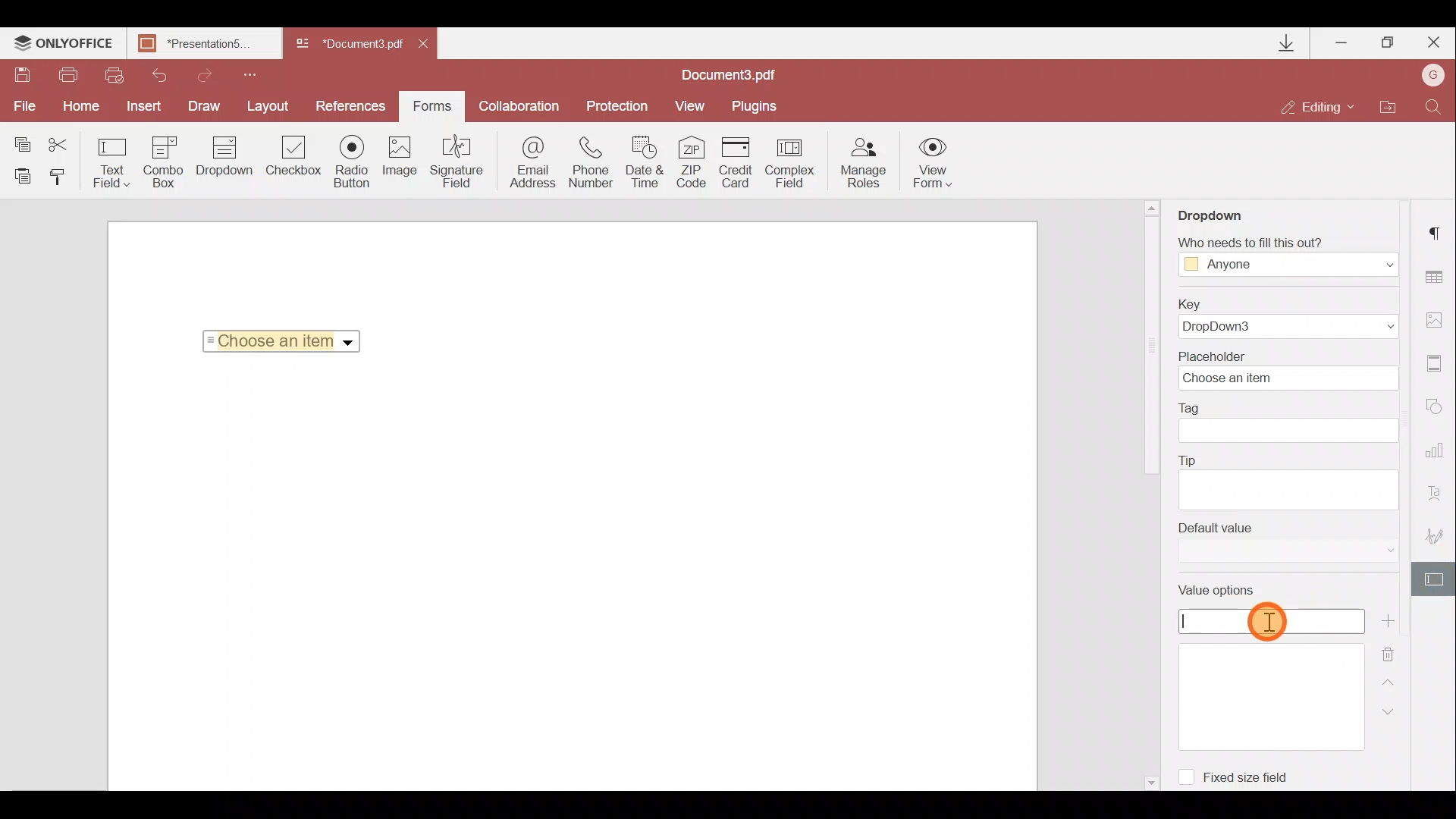 The image size is (1456, 819). Describe the element at coordinates (1439, 231) in the screenshot. I see `Paragraph settings` at that location.